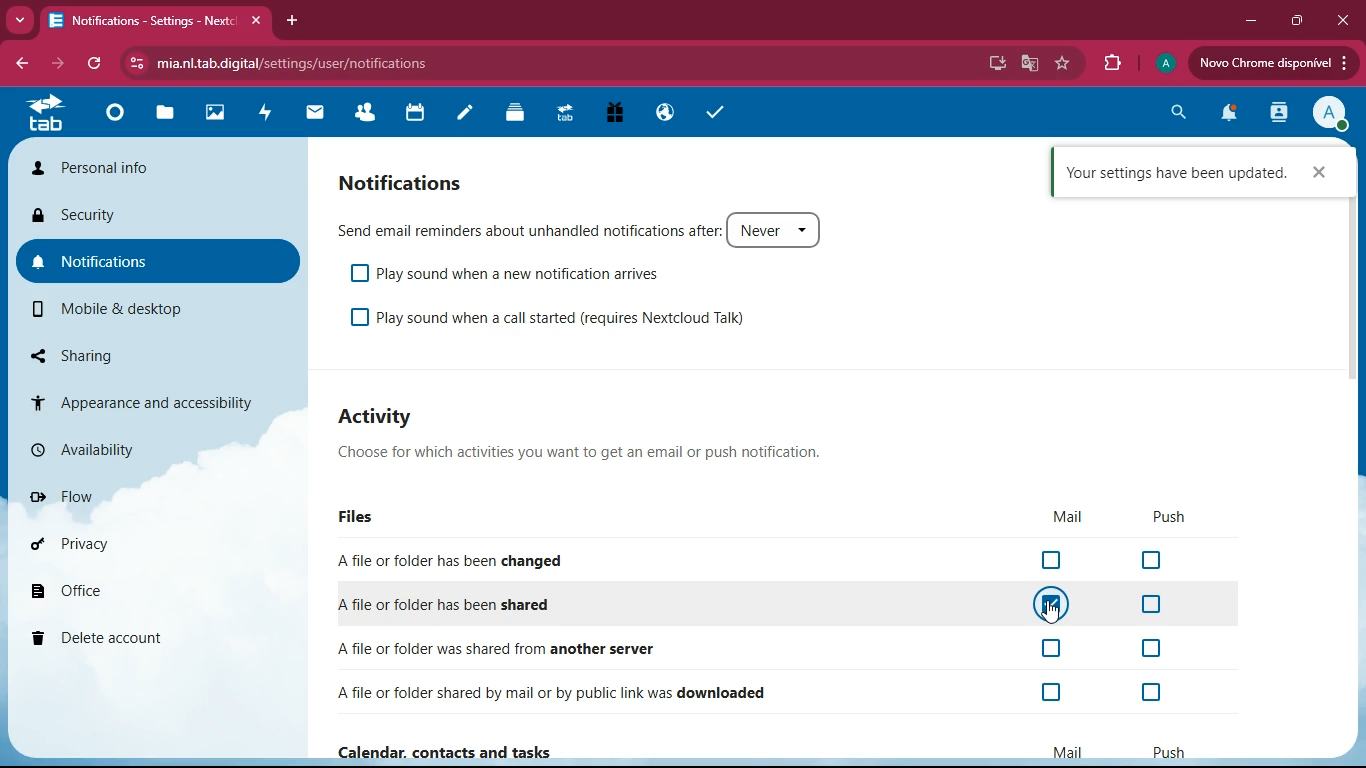 This screenshot has width=1366, height=768. What do you see at coordinates (1175, 114) in the screenshot?
I see `search` at bounding box center [1175, 114].